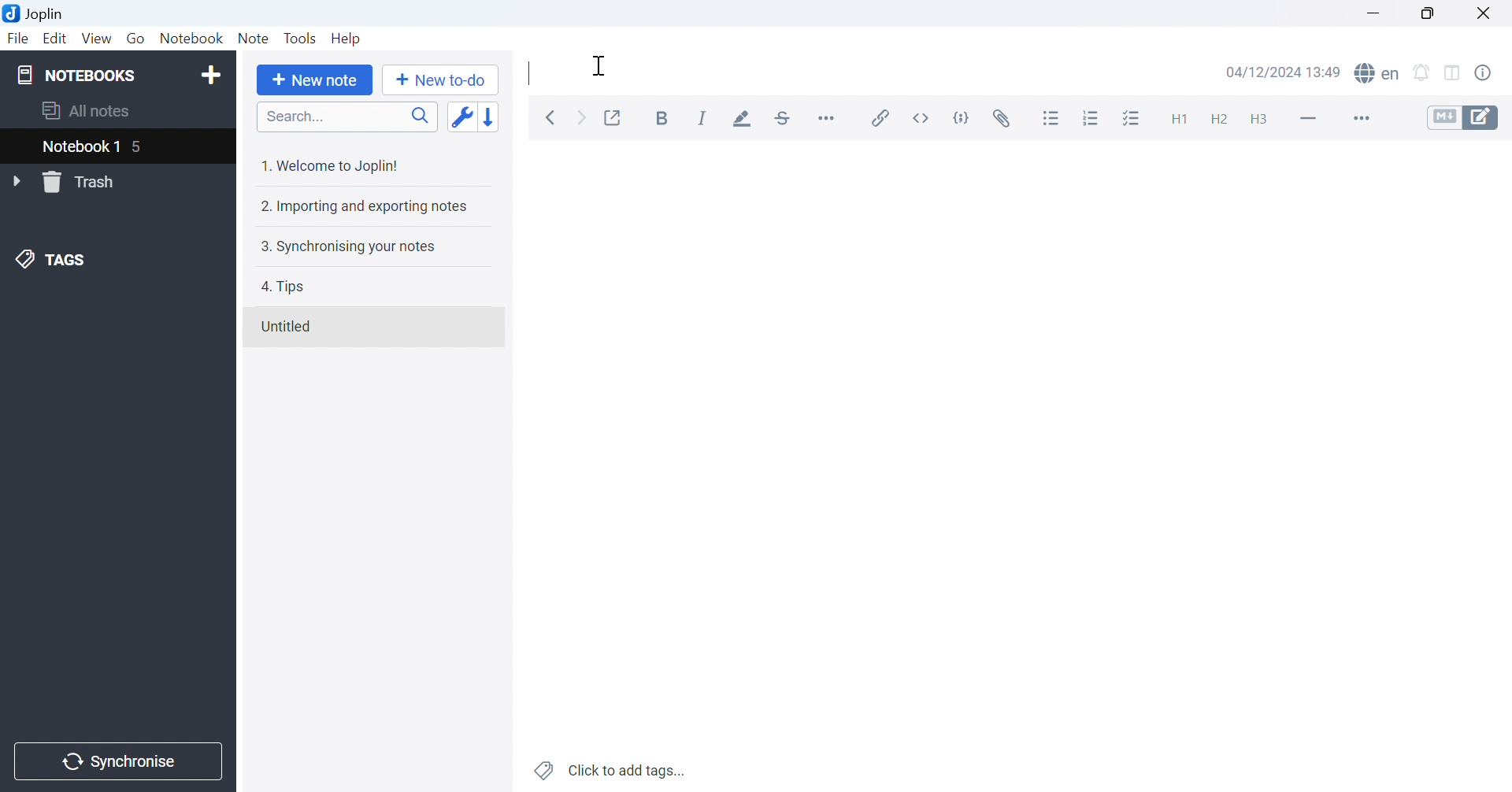  Describe the element at coordinates (18, 40) in the screenshot. I see `File` at that location.